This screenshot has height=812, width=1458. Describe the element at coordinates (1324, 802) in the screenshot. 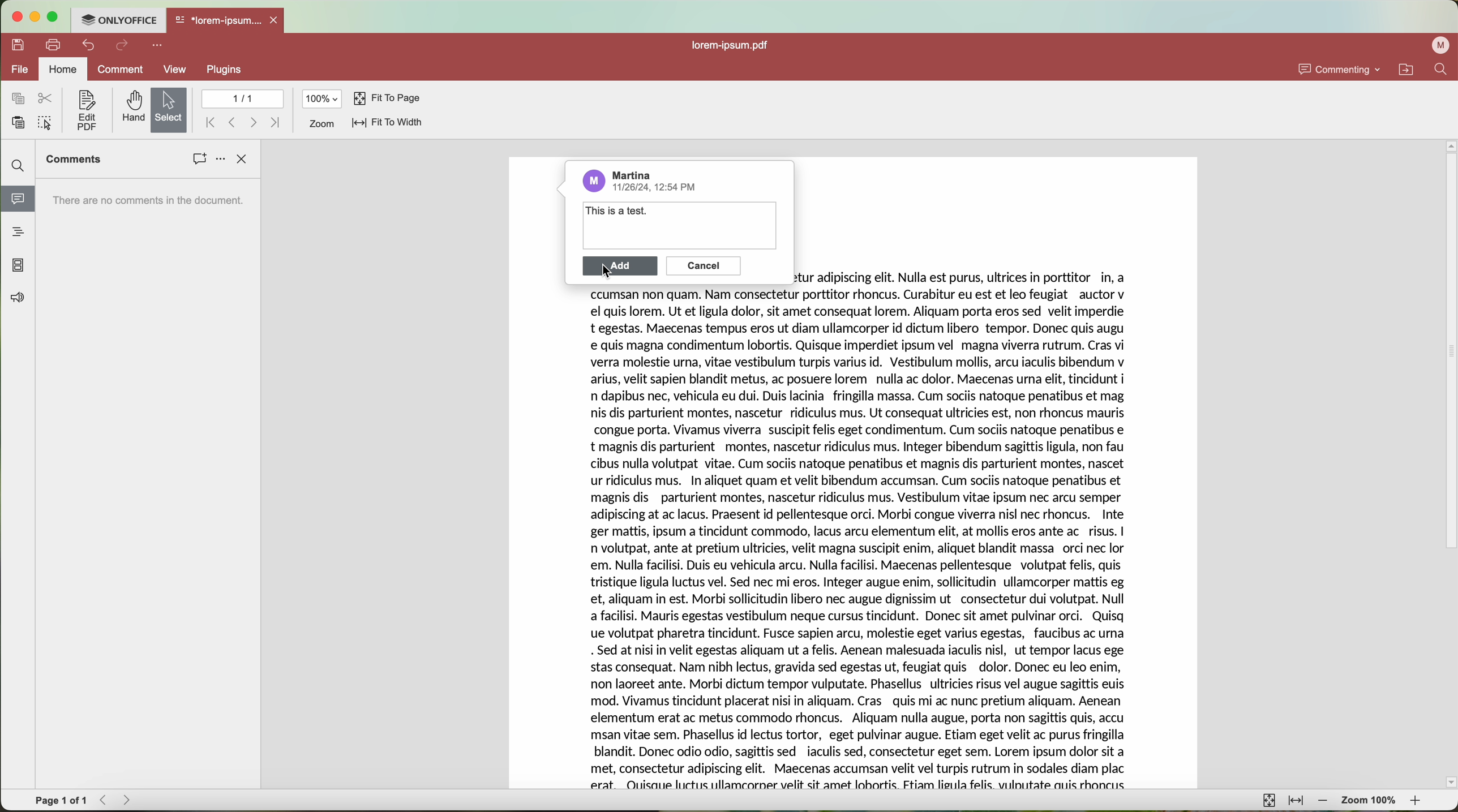

I see `zoom out` at that location.